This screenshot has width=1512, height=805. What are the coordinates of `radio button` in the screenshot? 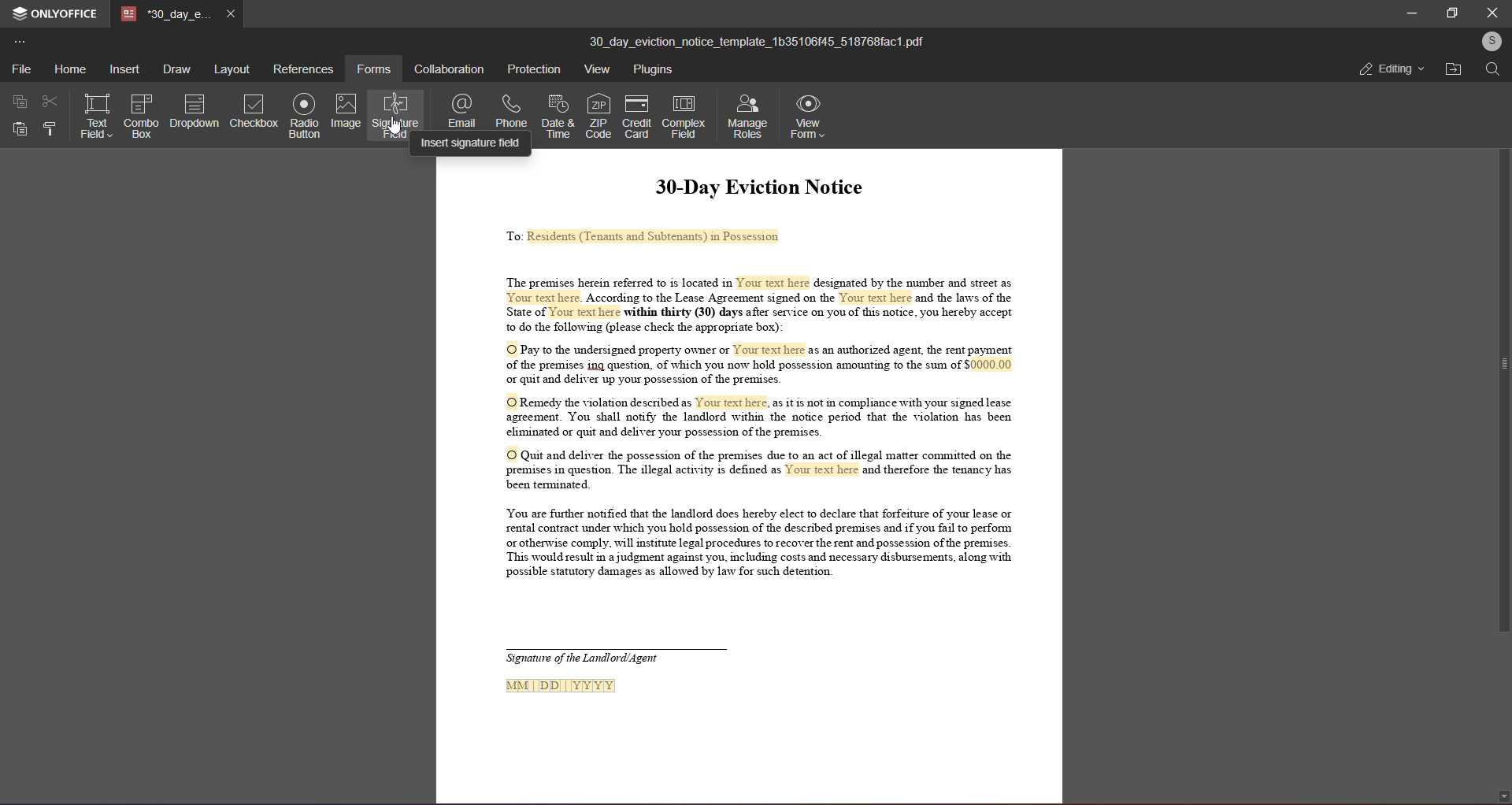 It's located at (305, 115).